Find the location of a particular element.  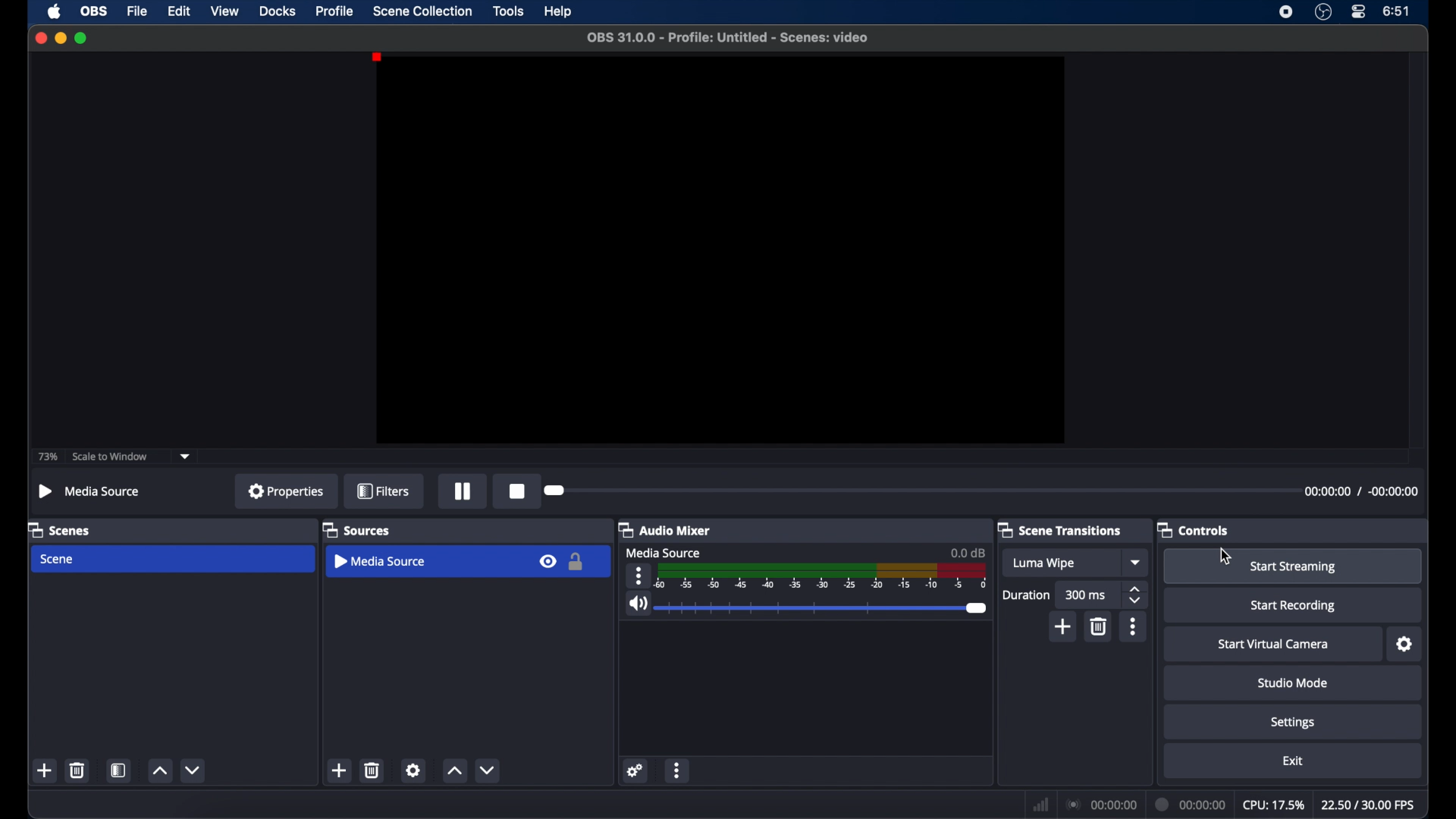

scene filters is located at coordinates (120, 770).